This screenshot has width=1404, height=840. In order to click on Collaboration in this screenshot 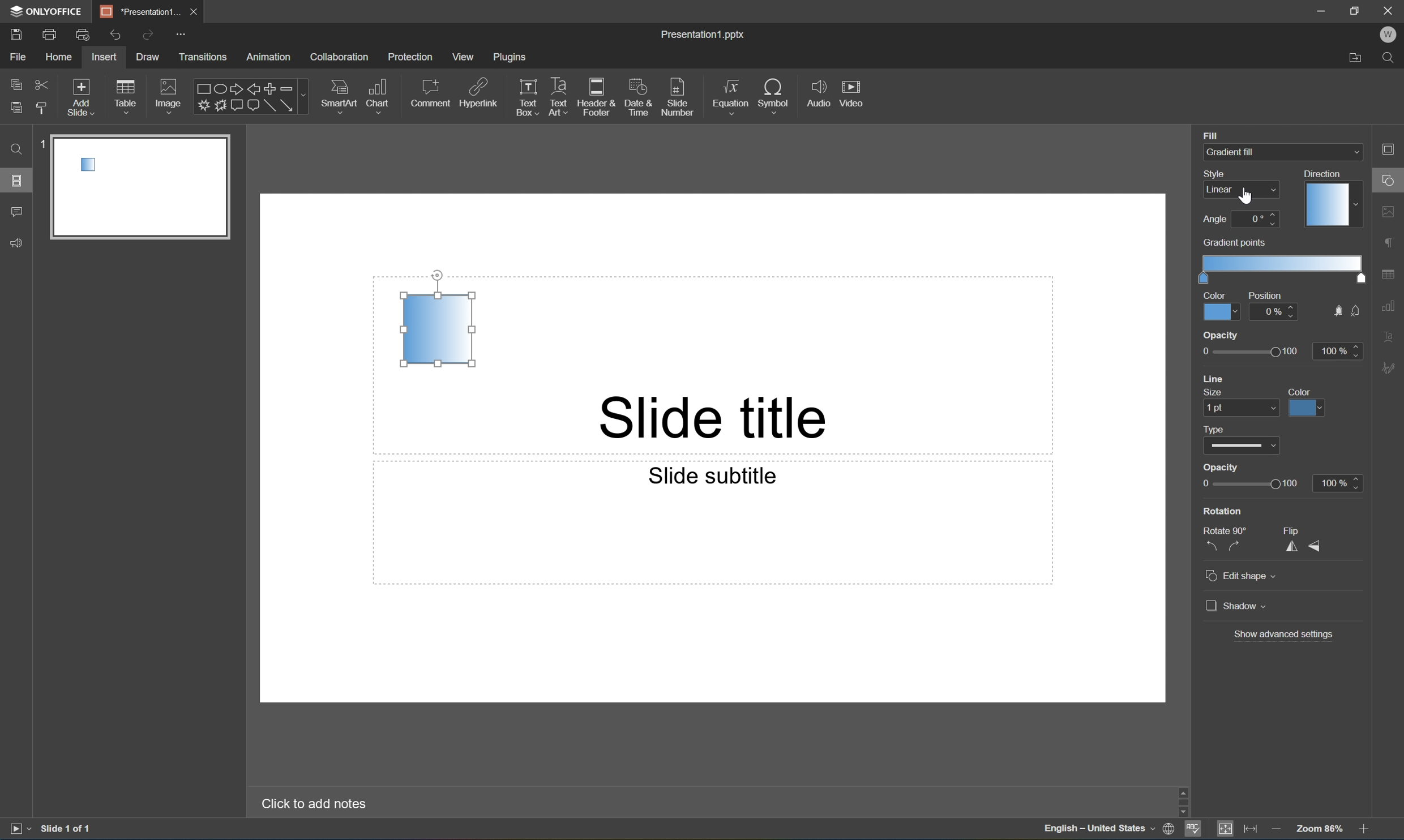, I will do `click(341, 58)`.